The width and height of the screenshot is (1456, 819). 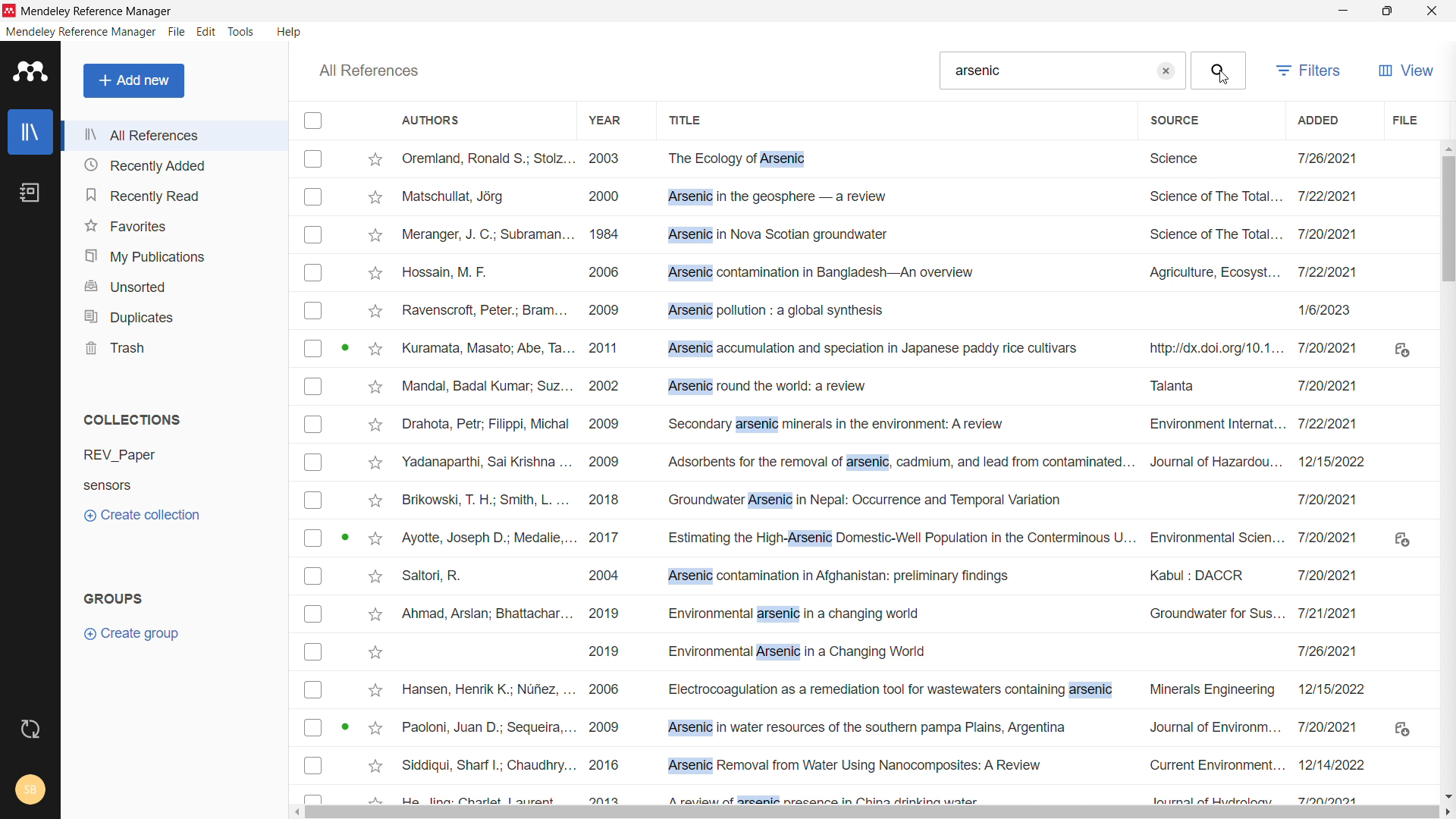 What do you see at coordinates (314, 654) in the screenshot?
I see `Checkbox` at bounding box center [314, 654].